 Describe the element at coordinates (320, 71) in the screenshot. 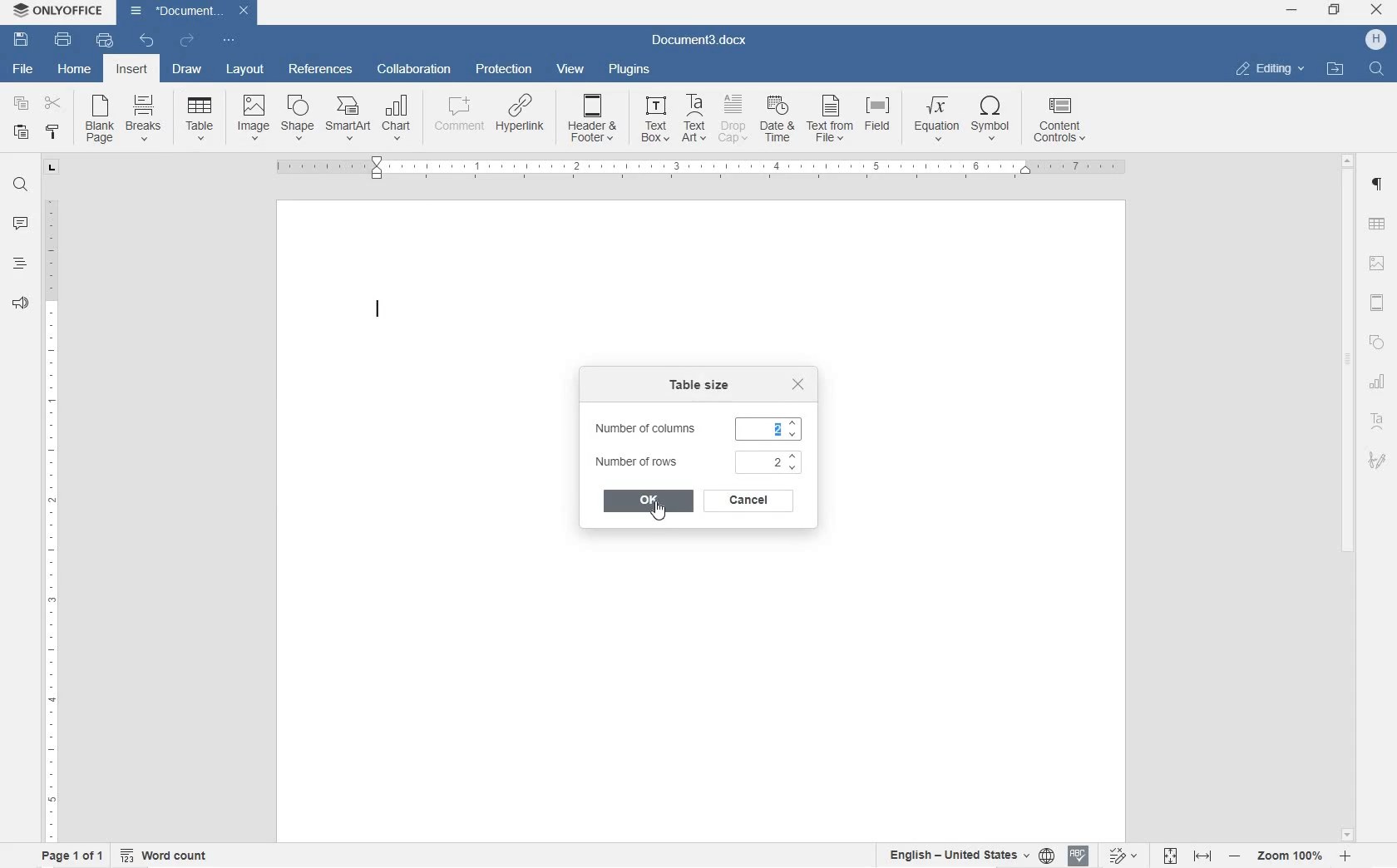

I see `REFERENCES` at that location.